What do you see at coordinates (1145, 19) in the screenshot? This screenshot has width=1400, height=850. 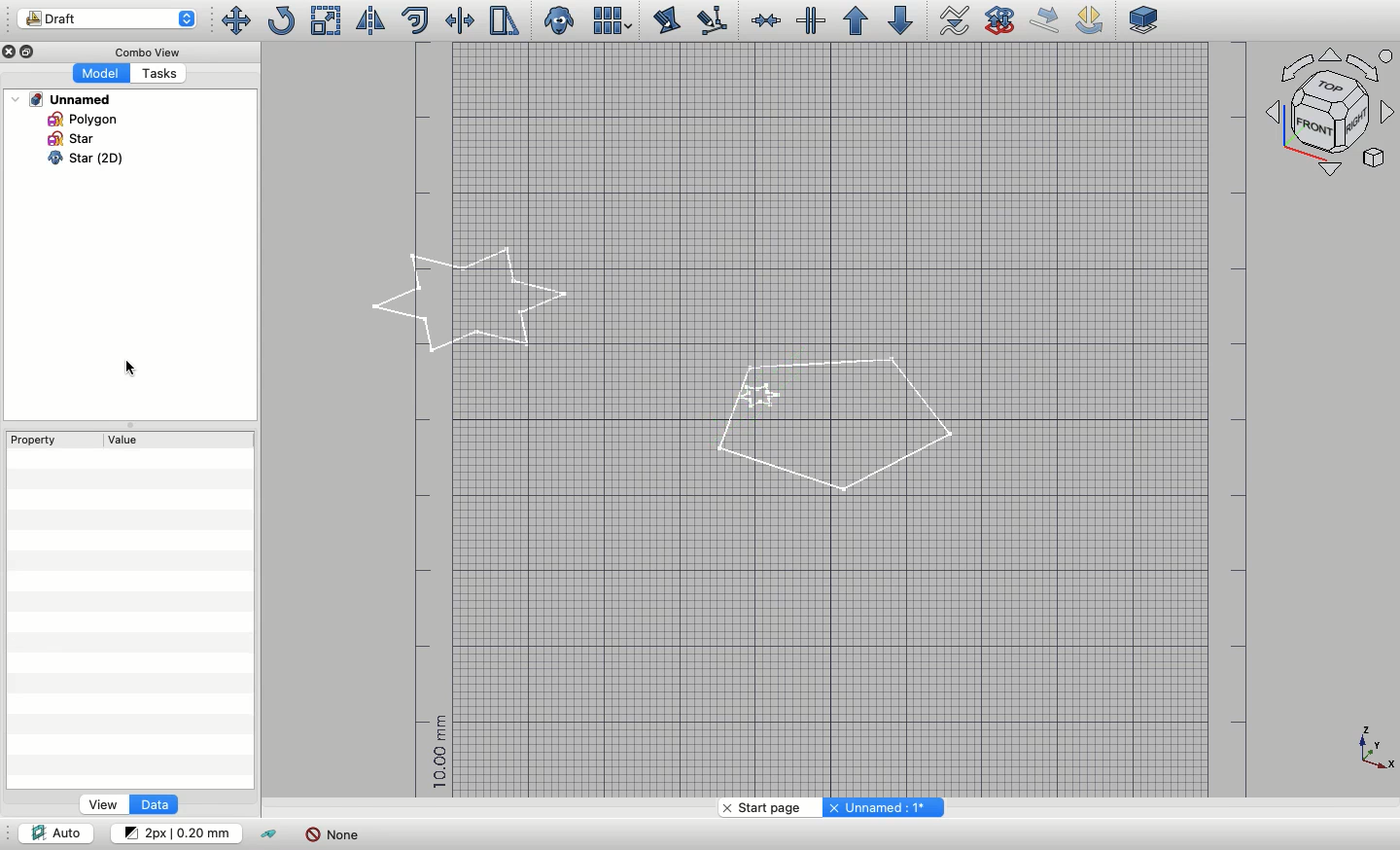 I see `Plane selector` at bounding box center [1145, 19].